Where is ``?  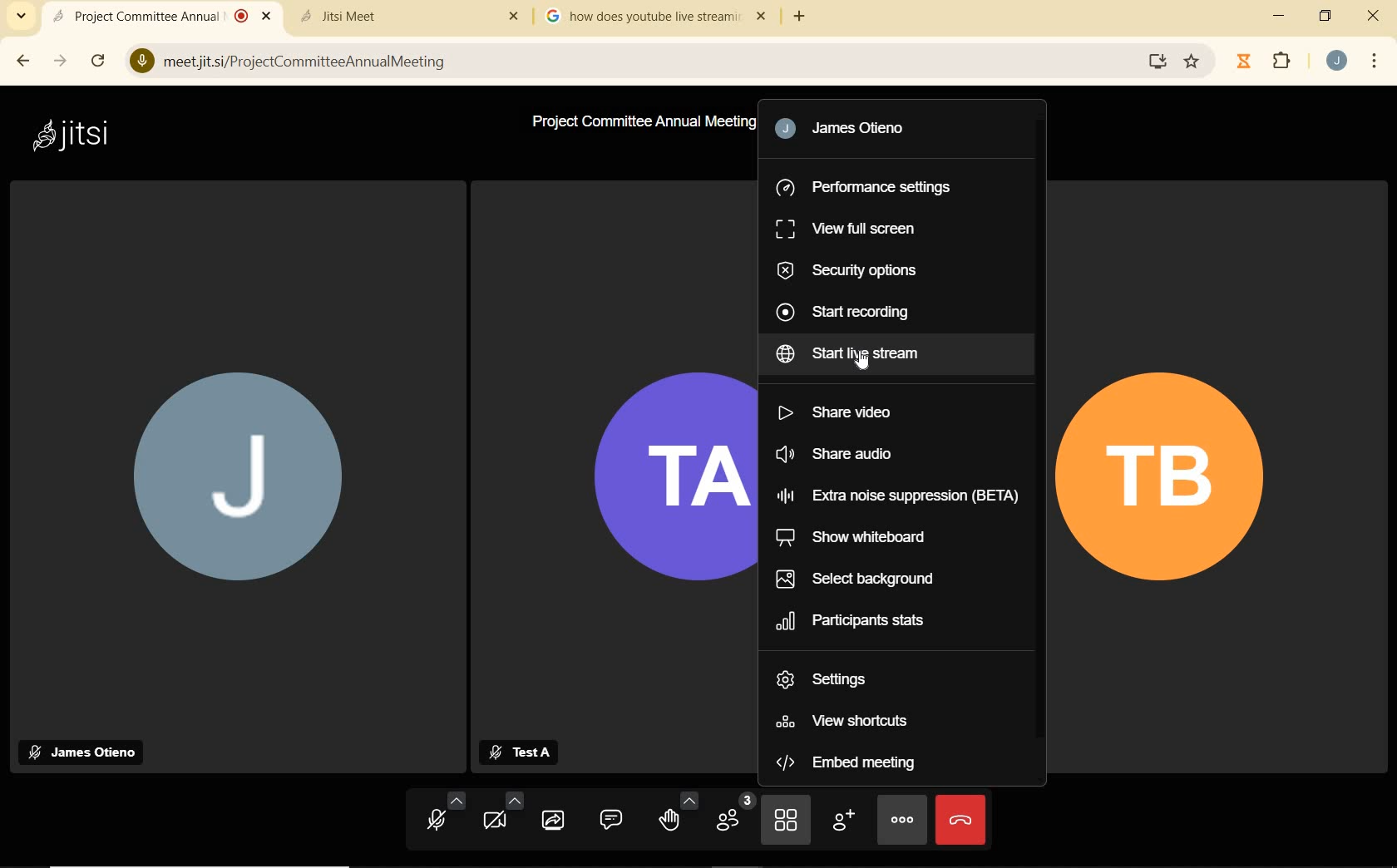
 is located at coordinates (512, 17).